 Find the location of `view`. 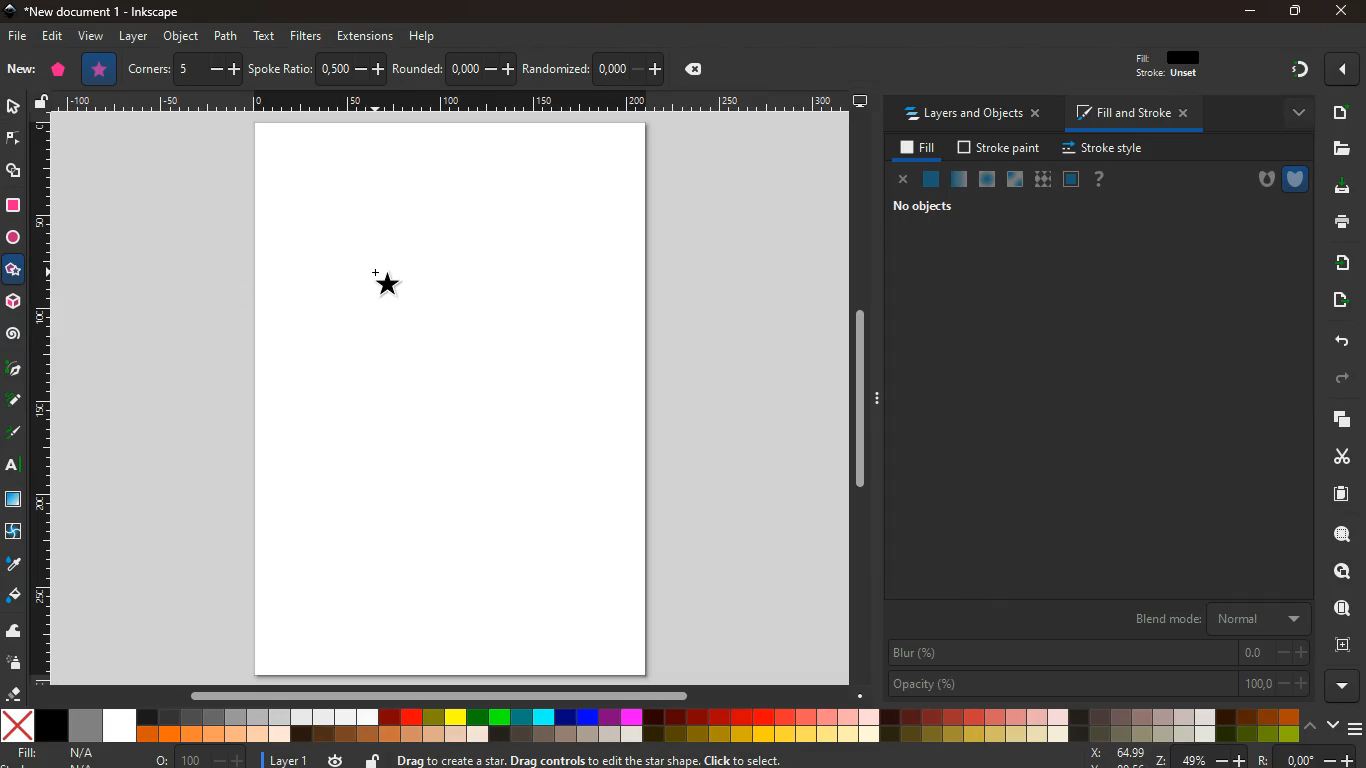

view is located at coordinates (93, 36).